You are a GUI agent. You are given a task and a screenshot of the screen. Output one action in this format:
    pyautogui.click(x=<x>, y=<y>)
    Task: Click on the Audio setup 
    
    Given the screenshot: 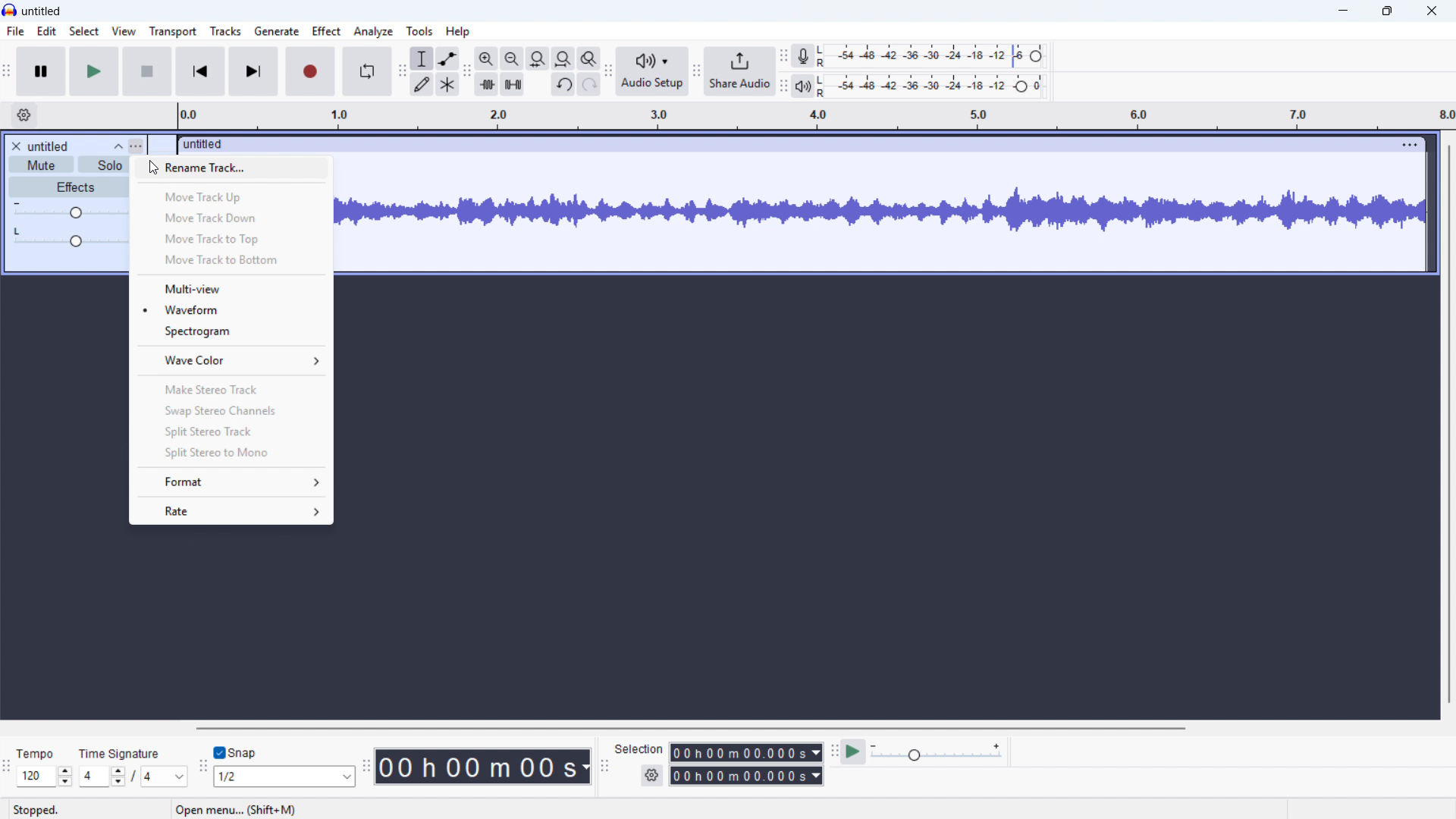 What is the action you would take?
    pyautogui.click(x=652, y=71)
    